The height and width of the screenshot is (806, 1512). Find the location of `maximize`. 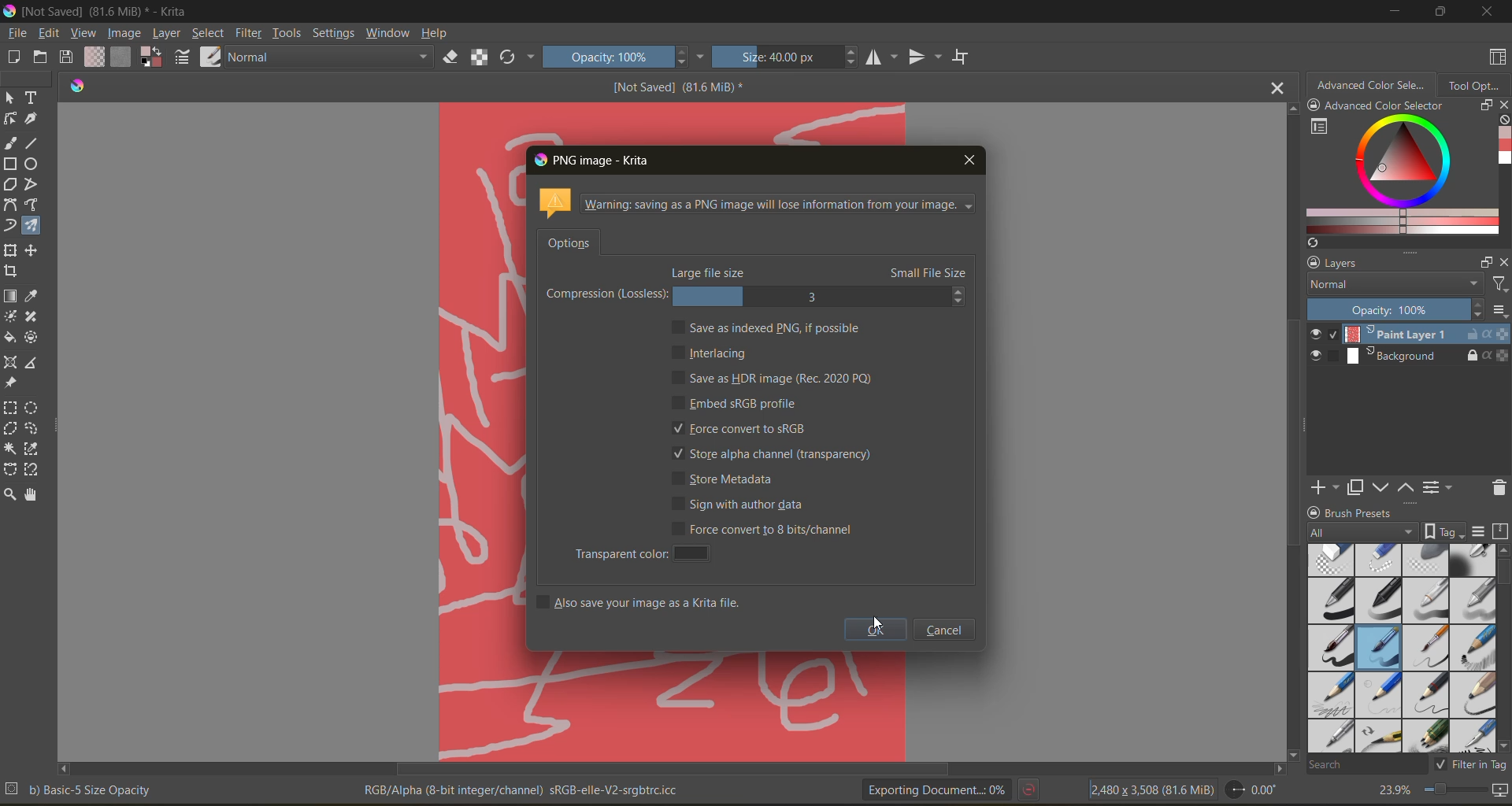

maximize is located at coordinates (1436, 11).